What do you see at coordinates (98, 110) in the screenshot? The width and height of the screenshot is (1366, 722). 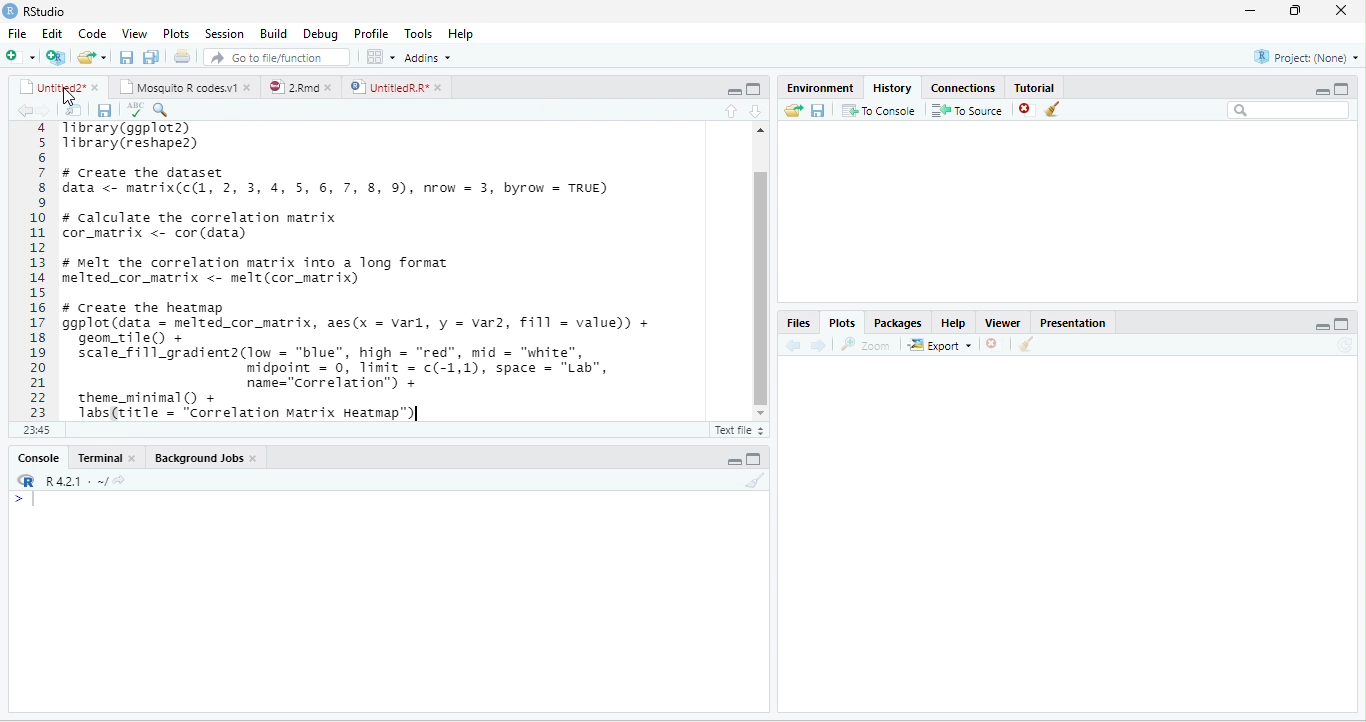 I see `save` at bounding box center [98, 110].